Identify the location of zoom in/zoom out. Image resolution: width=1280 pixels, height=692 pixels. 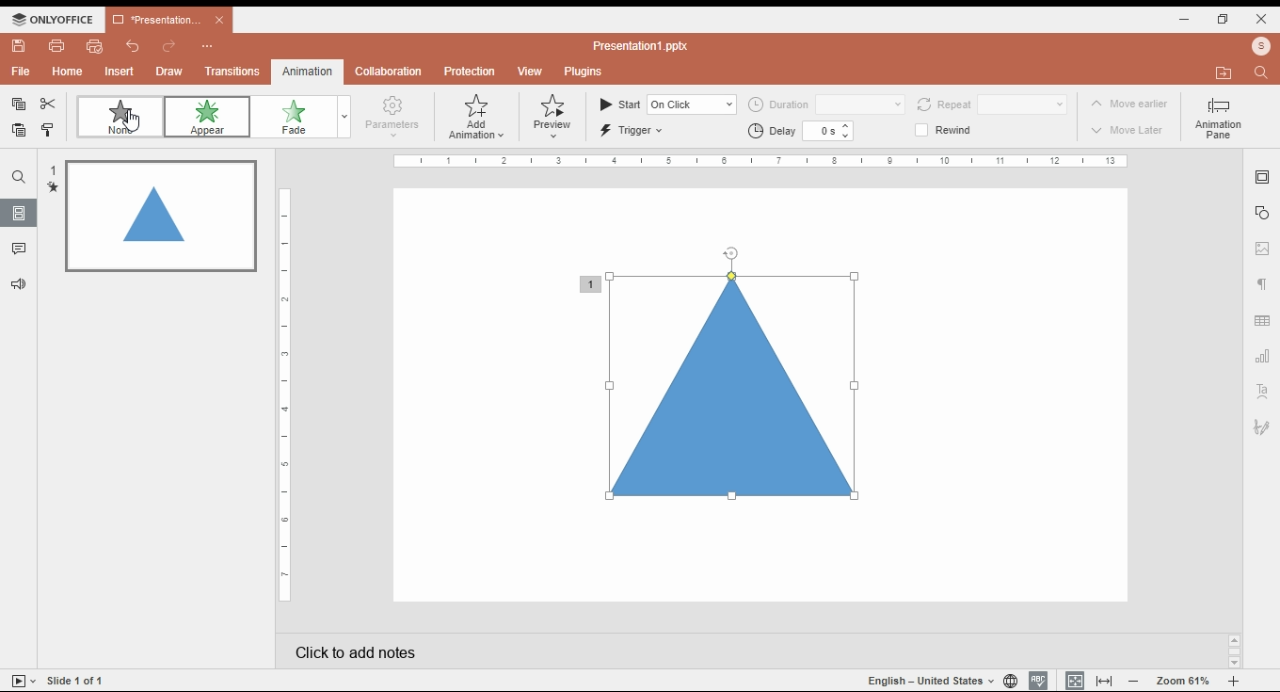
(1182, 680).